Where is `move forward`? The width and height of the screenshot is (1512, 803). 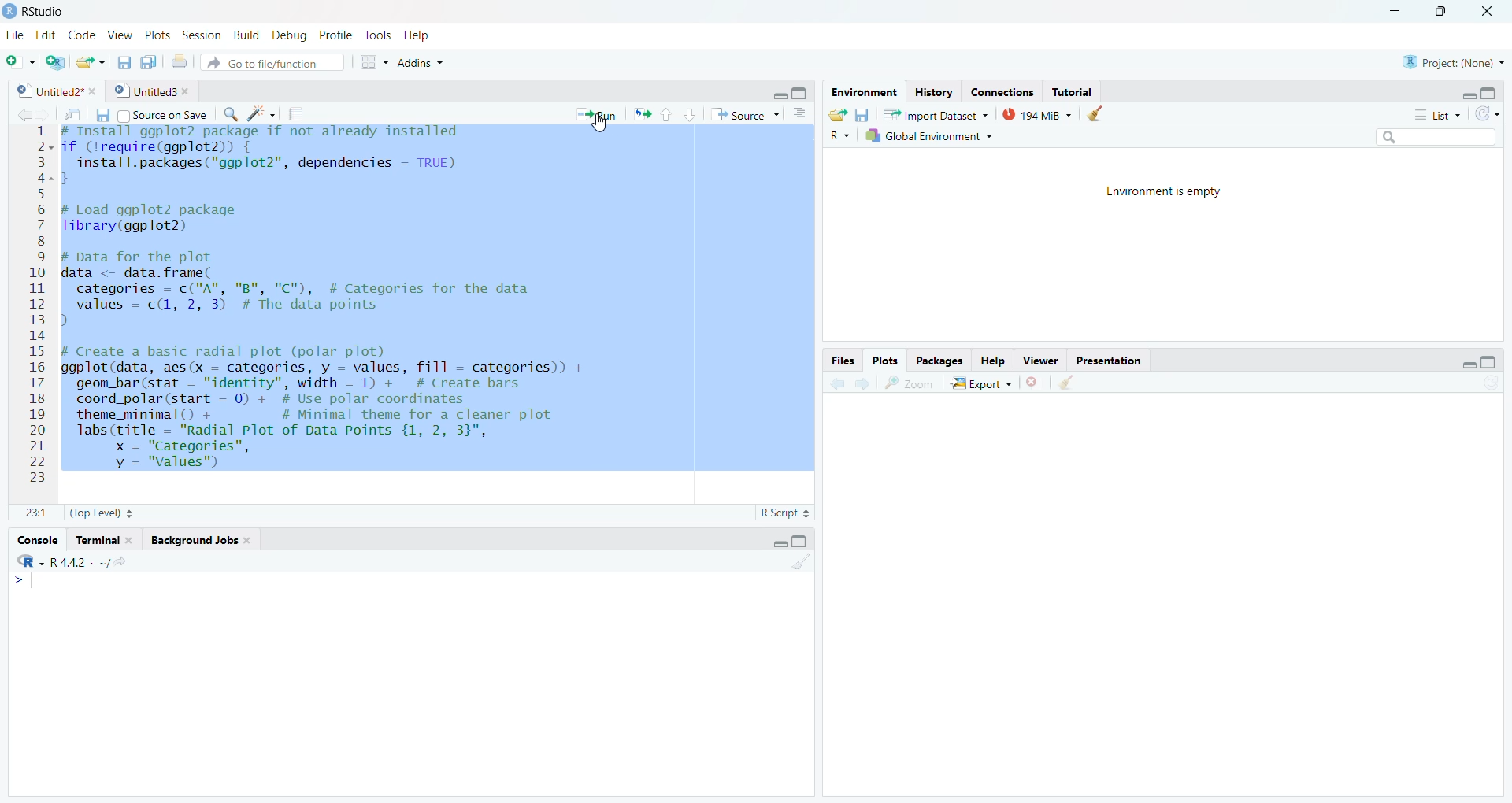
move forward is located at coordinates (45, 116).